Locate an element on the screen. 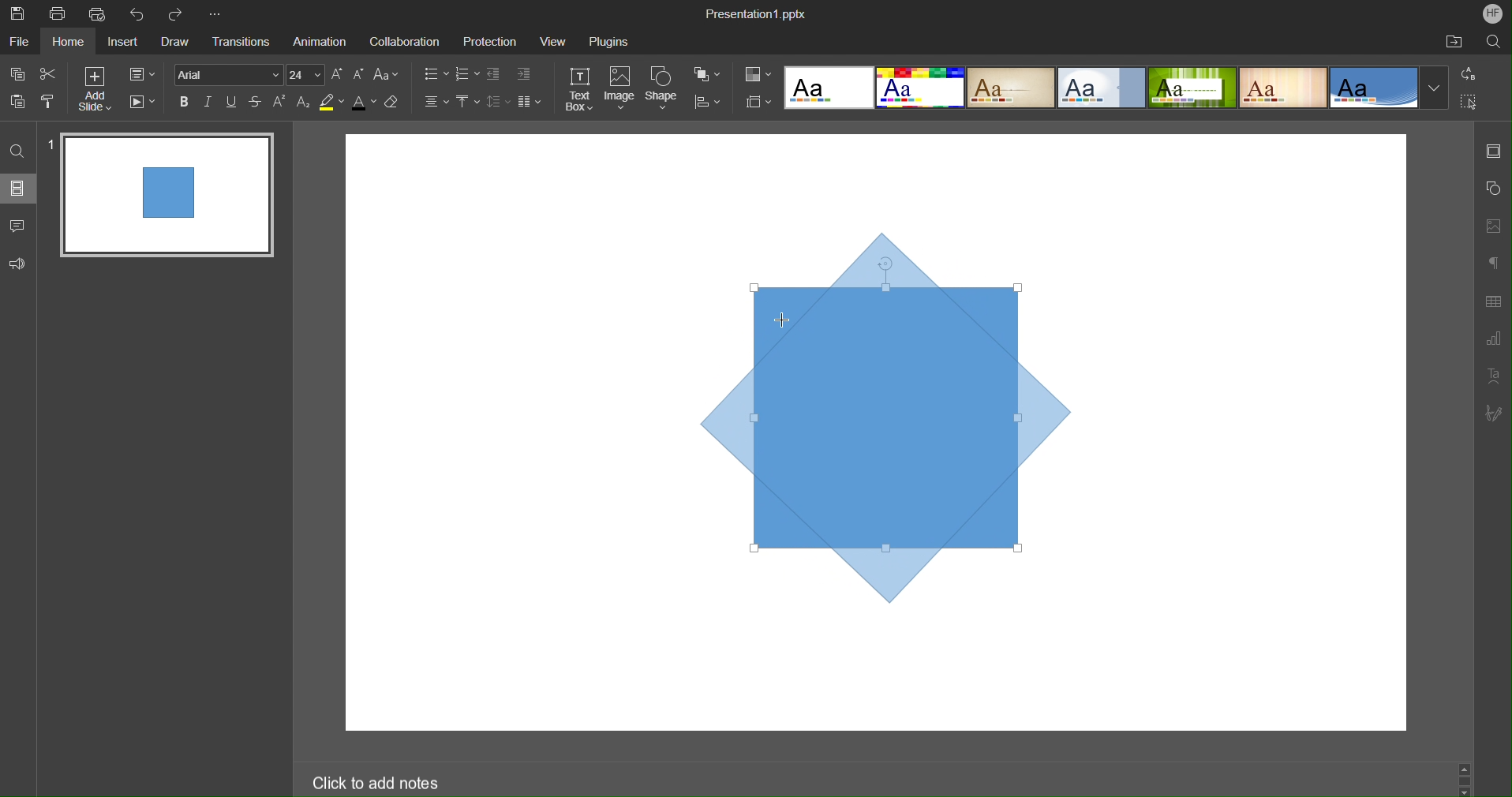 This screenshot has height=797, width=1512. Search is located at coordinates (1494, 41).